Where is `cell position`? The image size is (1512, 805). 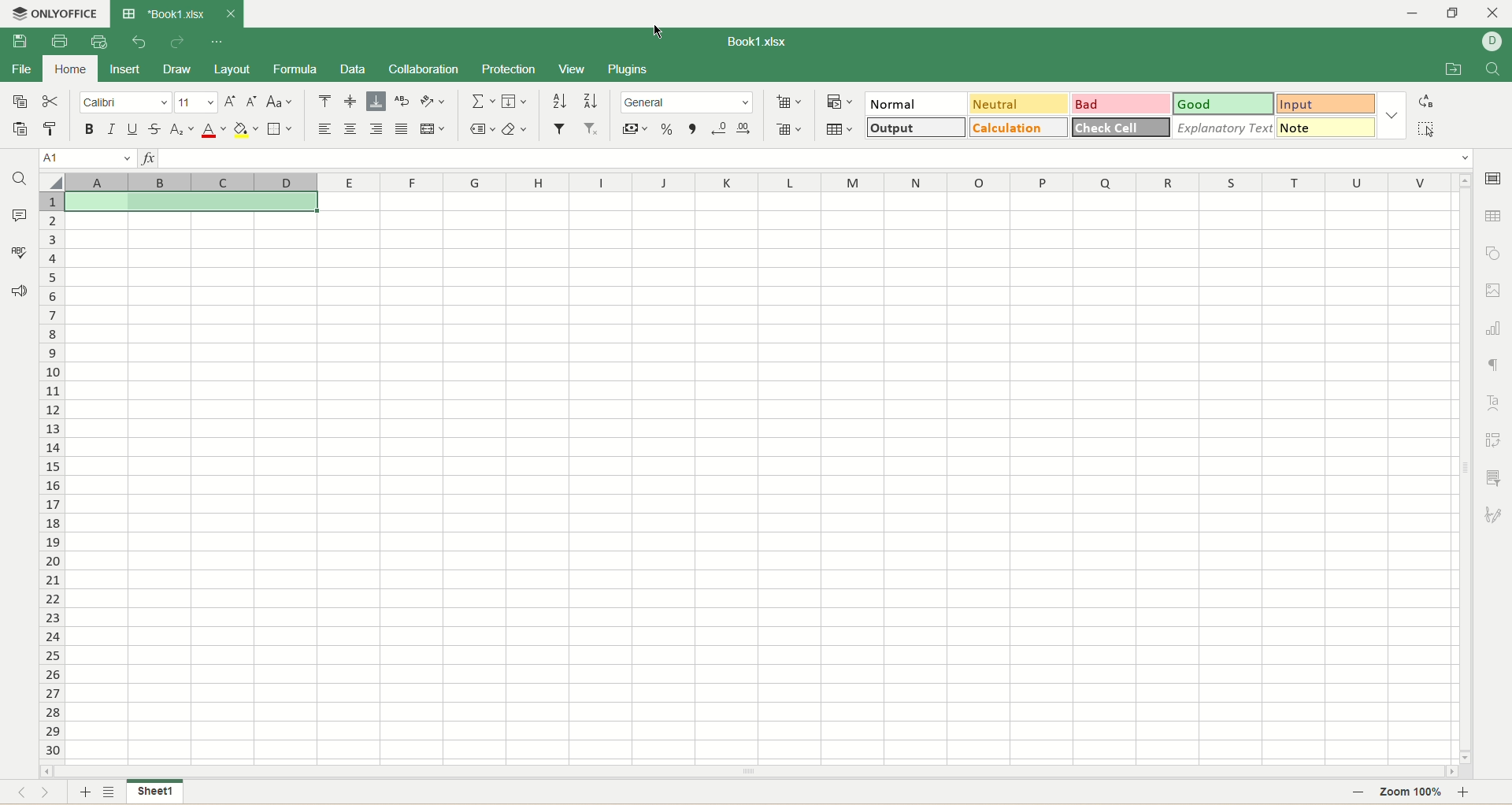 cell position is located at coordinates (89, 158).